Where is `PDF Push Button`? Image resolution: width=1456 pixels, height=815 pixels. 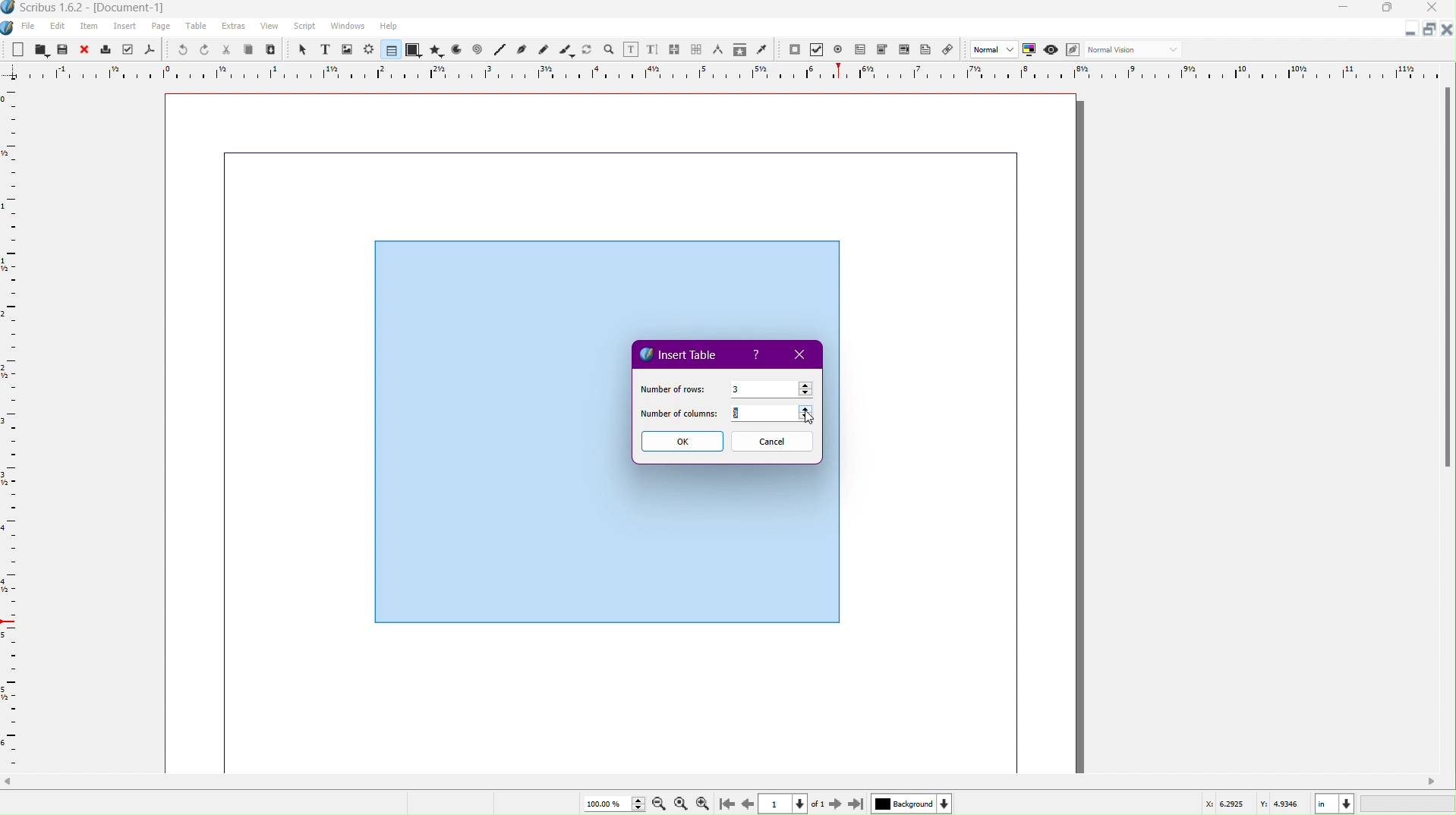 PDF Push Button is located at coordinates (794, 50).